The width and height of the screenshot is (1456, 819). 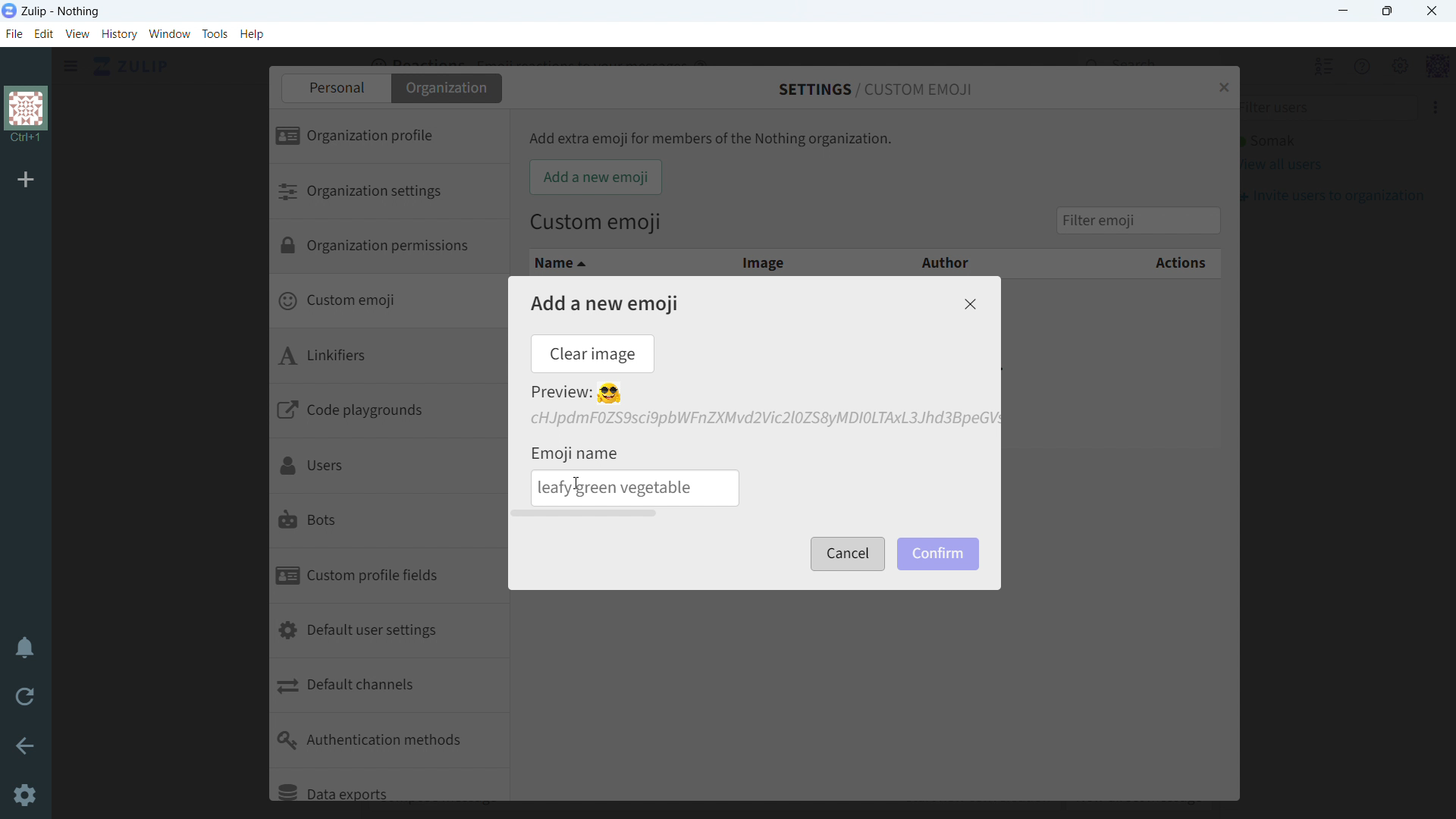 What do you see at coordinates (24, 649) in the screenshot?
I see `enable do not disturb` at bounding box center [24, 649].